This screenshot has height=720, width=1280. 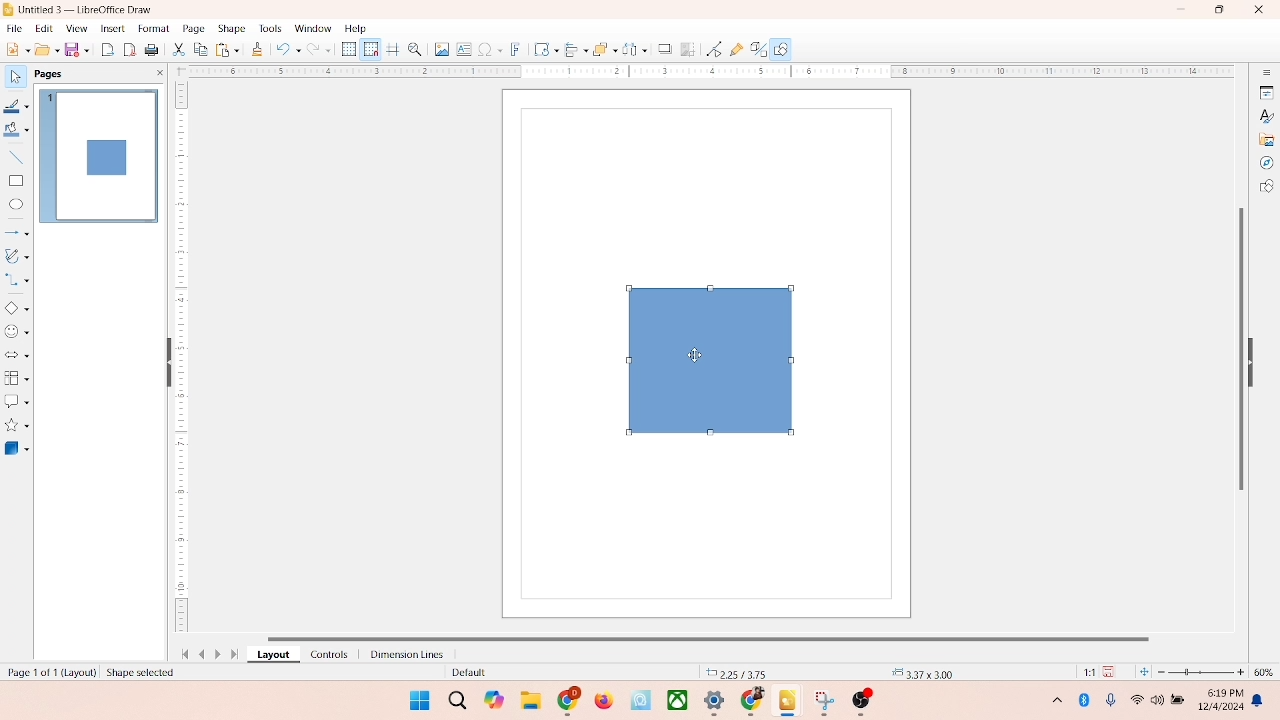 I want to click on shape, so click(x=231, y=28).